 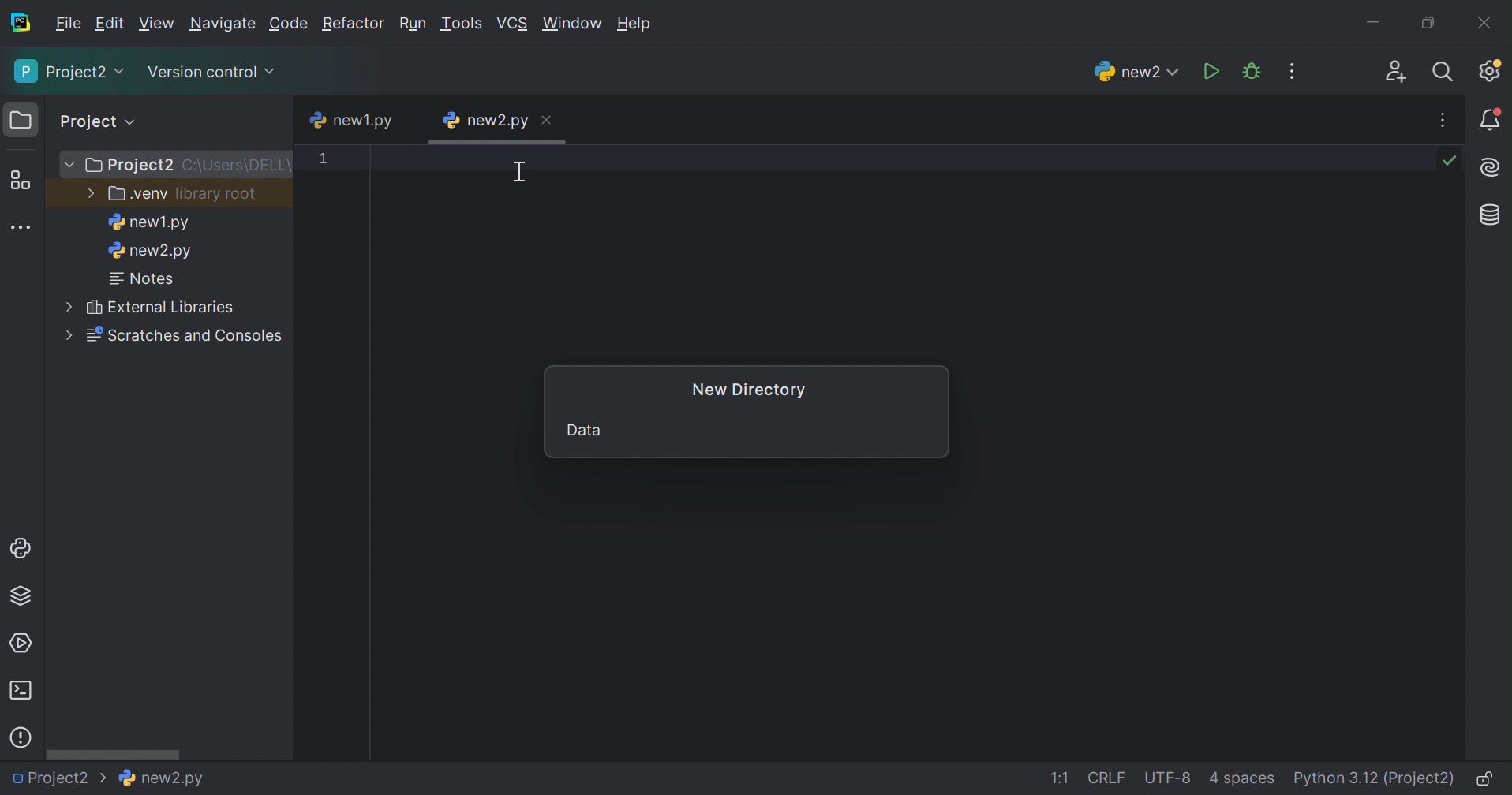 What do you see at coordinates (1134, 72) in the screenshot?
I see `new2` at bounding box center [1134, 72].